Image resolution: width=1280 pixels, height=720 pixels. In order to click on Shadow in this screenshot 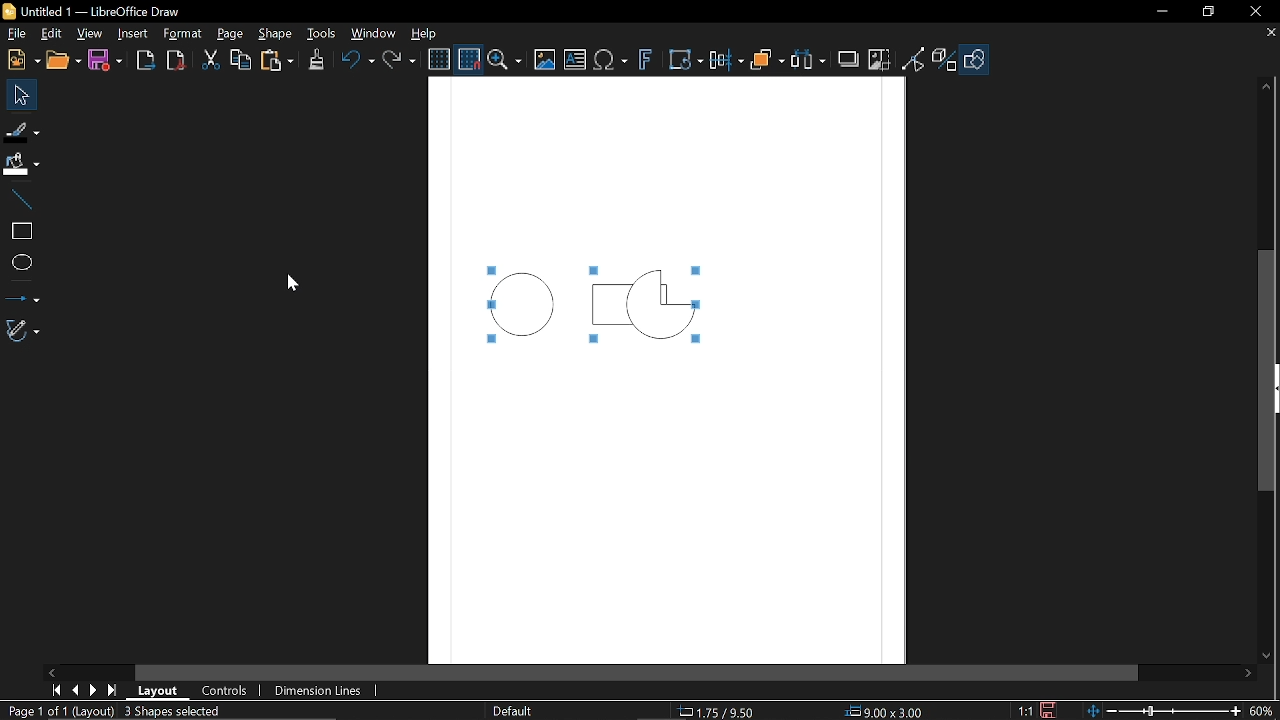, I will do `click(849, 59)`.